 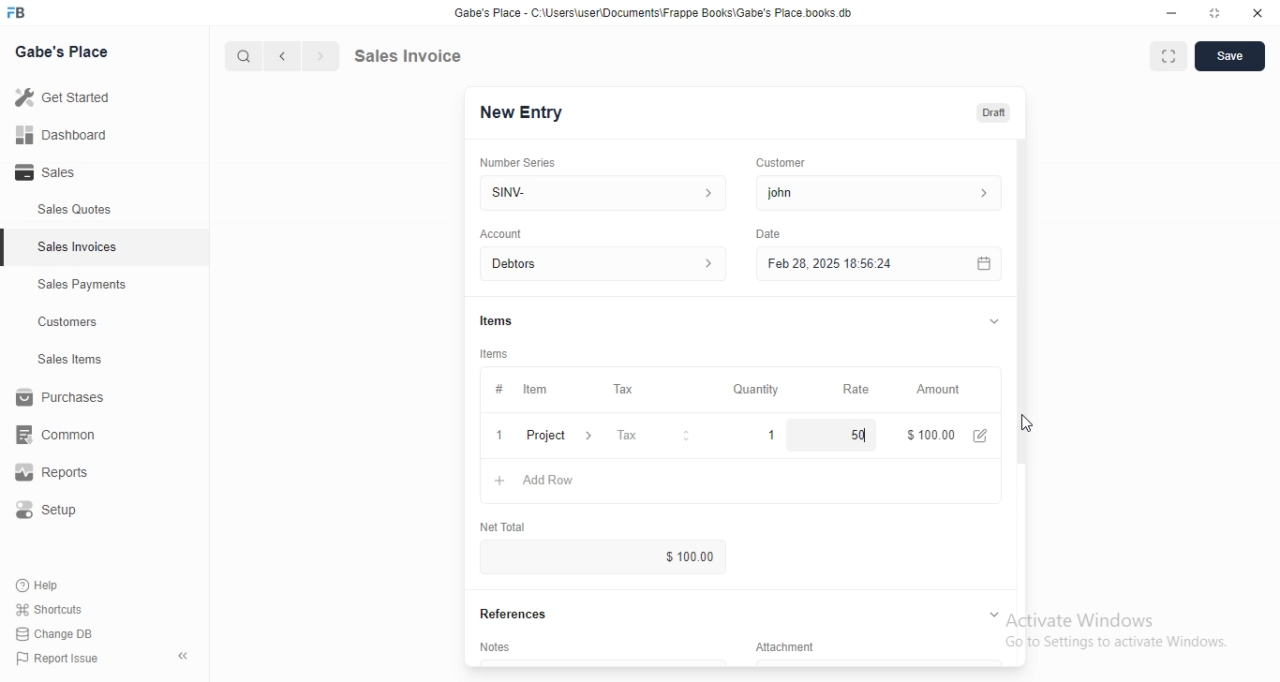 What do you see at coordinates (773, 434) in the screenshot?
I see `1` at bounding box center [773, 434].